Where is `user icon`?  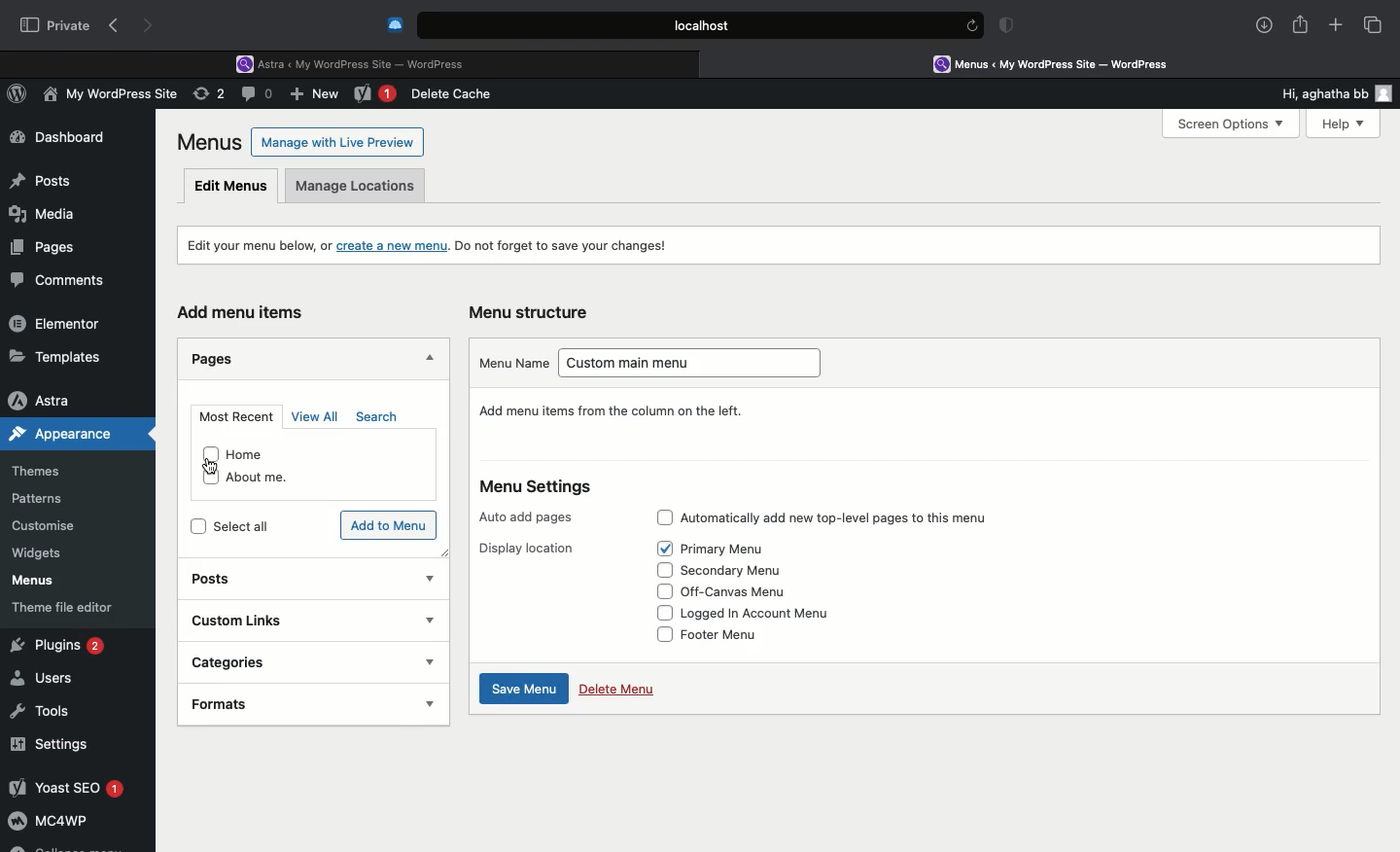
user icon is located at coordinates (1387, 93).